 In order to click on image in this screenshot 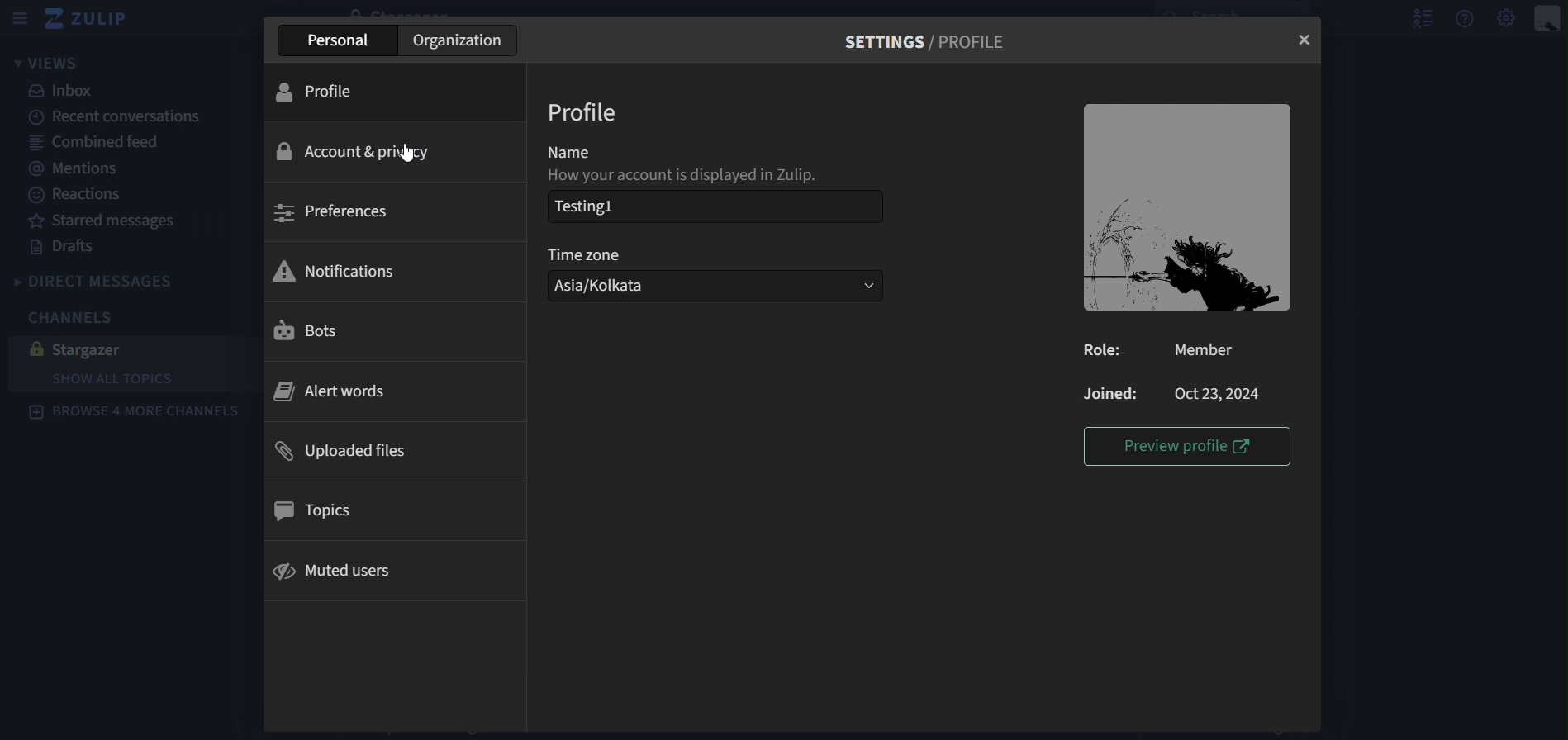, I will do `click(1188, 207)`.